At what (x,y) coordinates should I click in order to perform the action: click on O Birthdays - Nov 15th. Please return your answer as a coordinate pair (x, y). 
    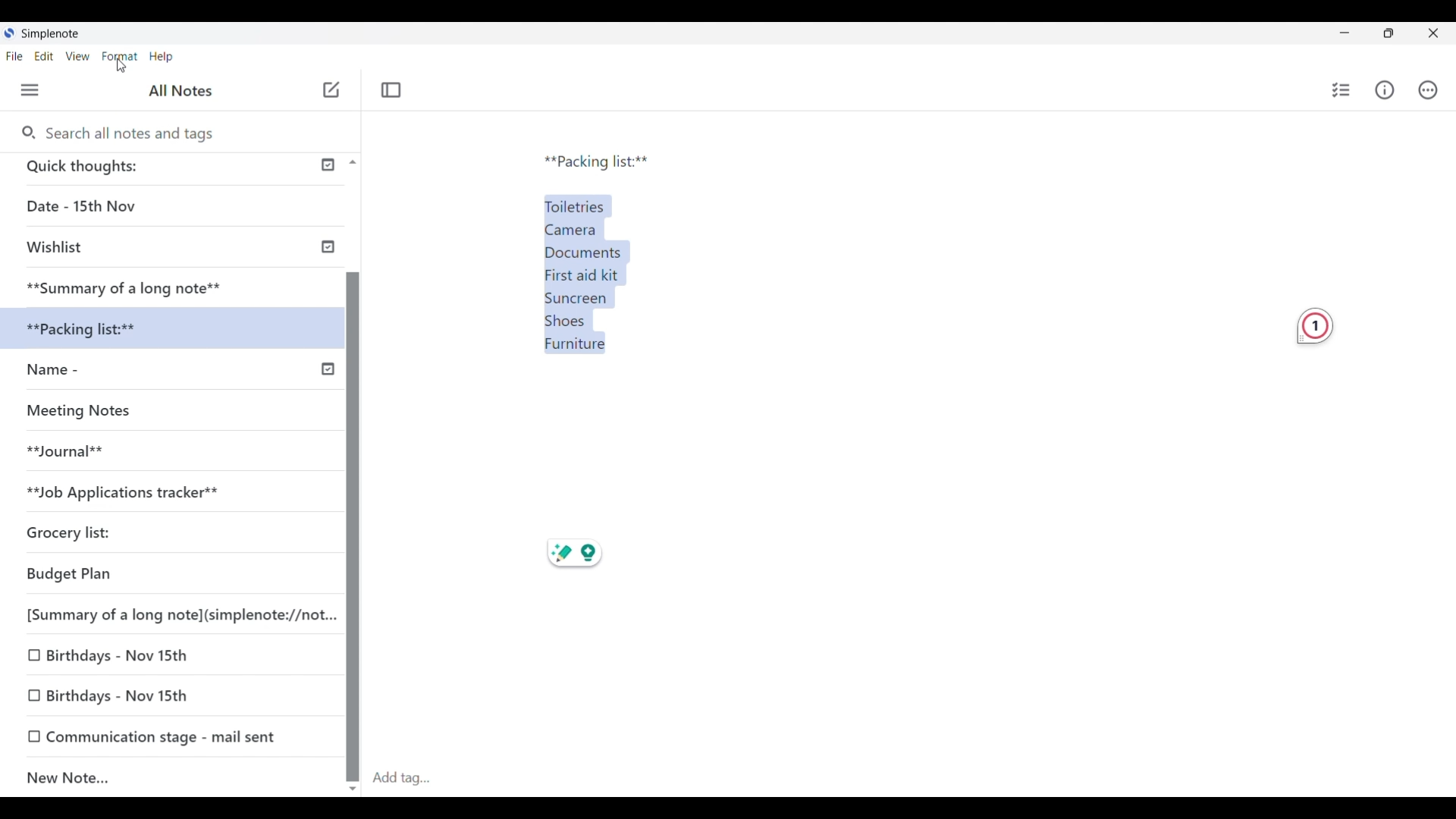
    Looking at the image, I should click on (115, 654).